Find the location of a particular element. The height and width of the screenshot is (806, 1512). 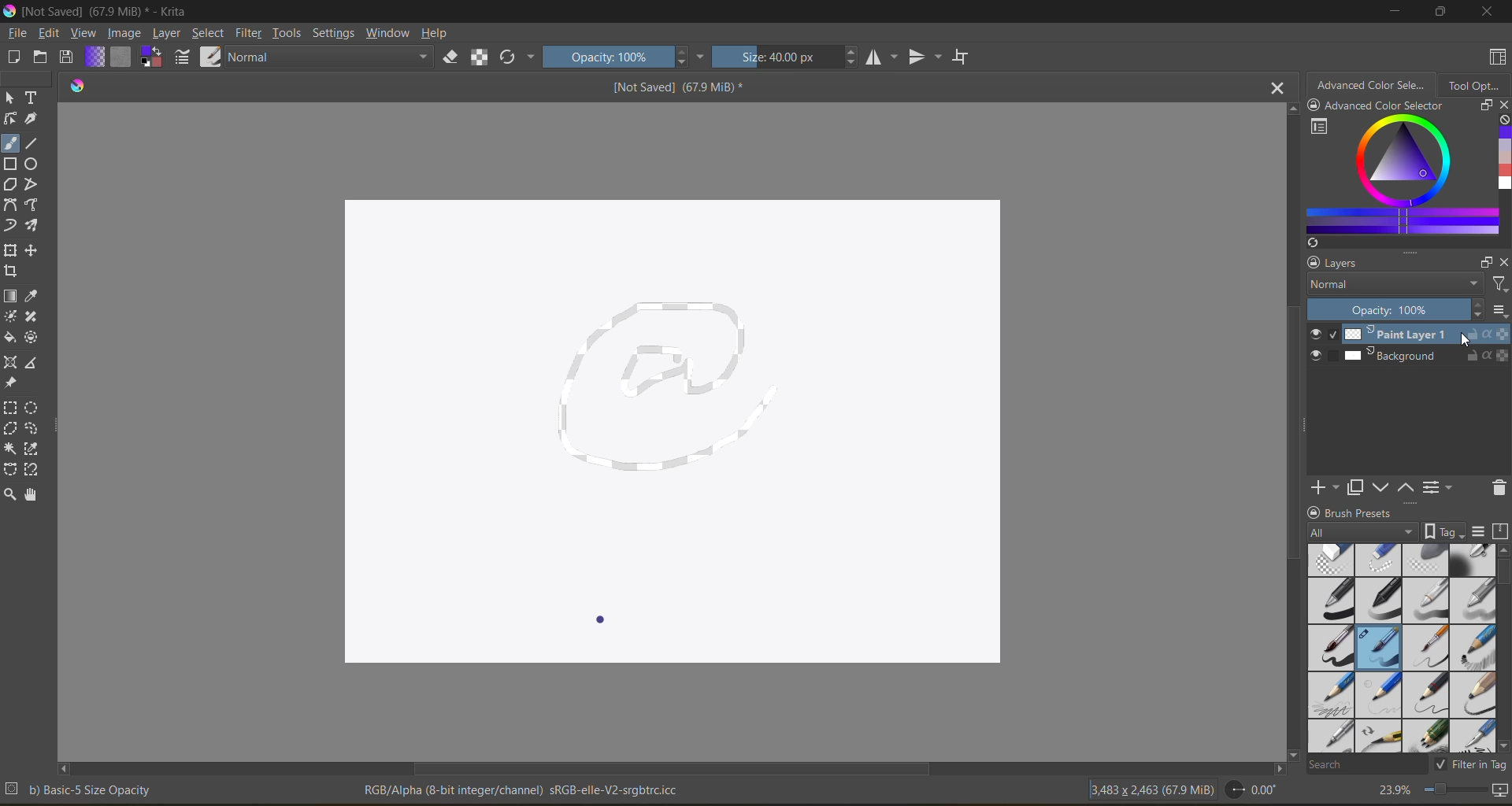

scroll right is located at coordinates (66, 768).